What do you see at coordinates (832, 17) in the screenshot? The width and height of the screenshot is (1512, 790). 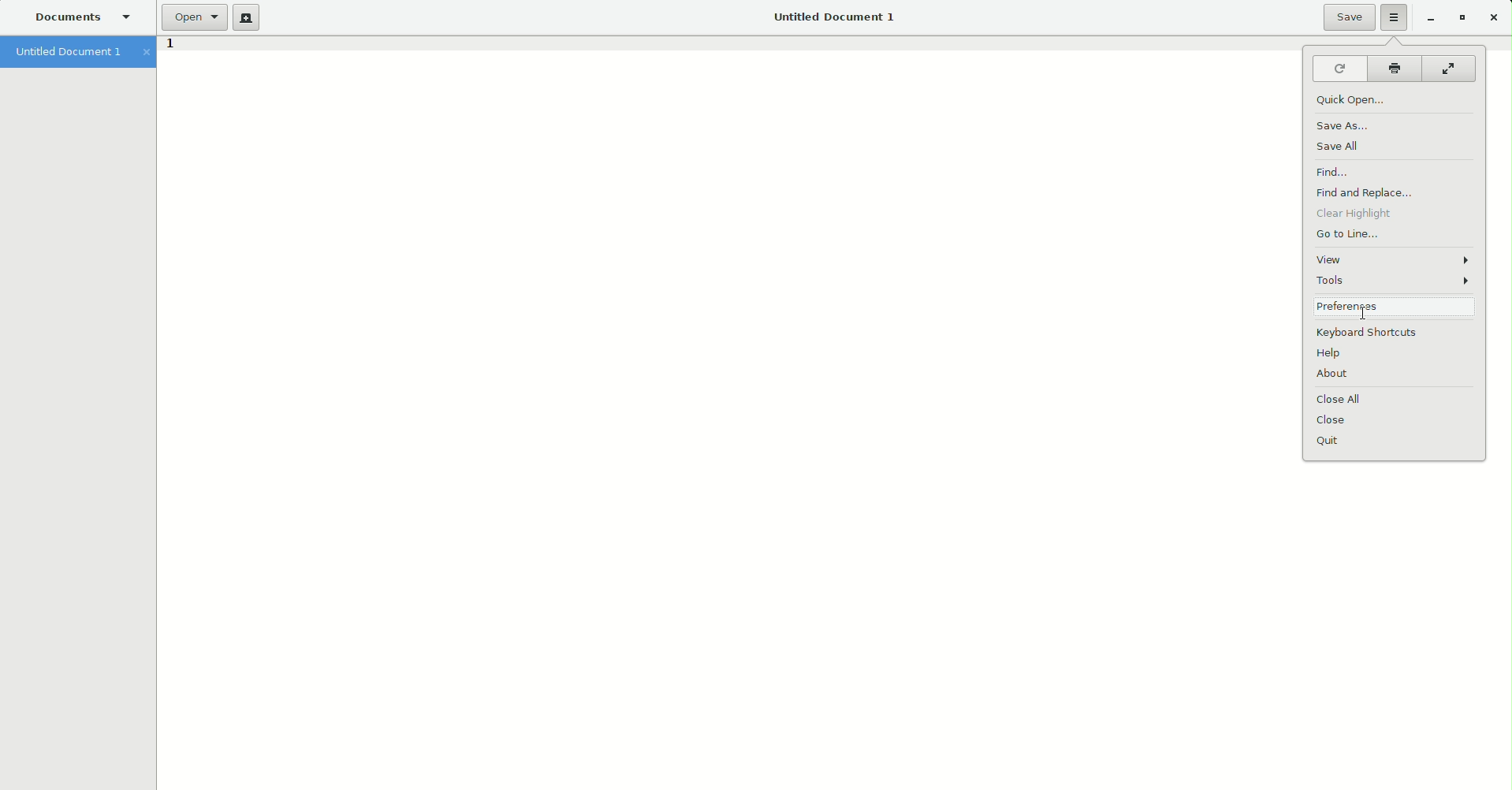 I see `Untitled Document 1` at bounding box center [832, 17].